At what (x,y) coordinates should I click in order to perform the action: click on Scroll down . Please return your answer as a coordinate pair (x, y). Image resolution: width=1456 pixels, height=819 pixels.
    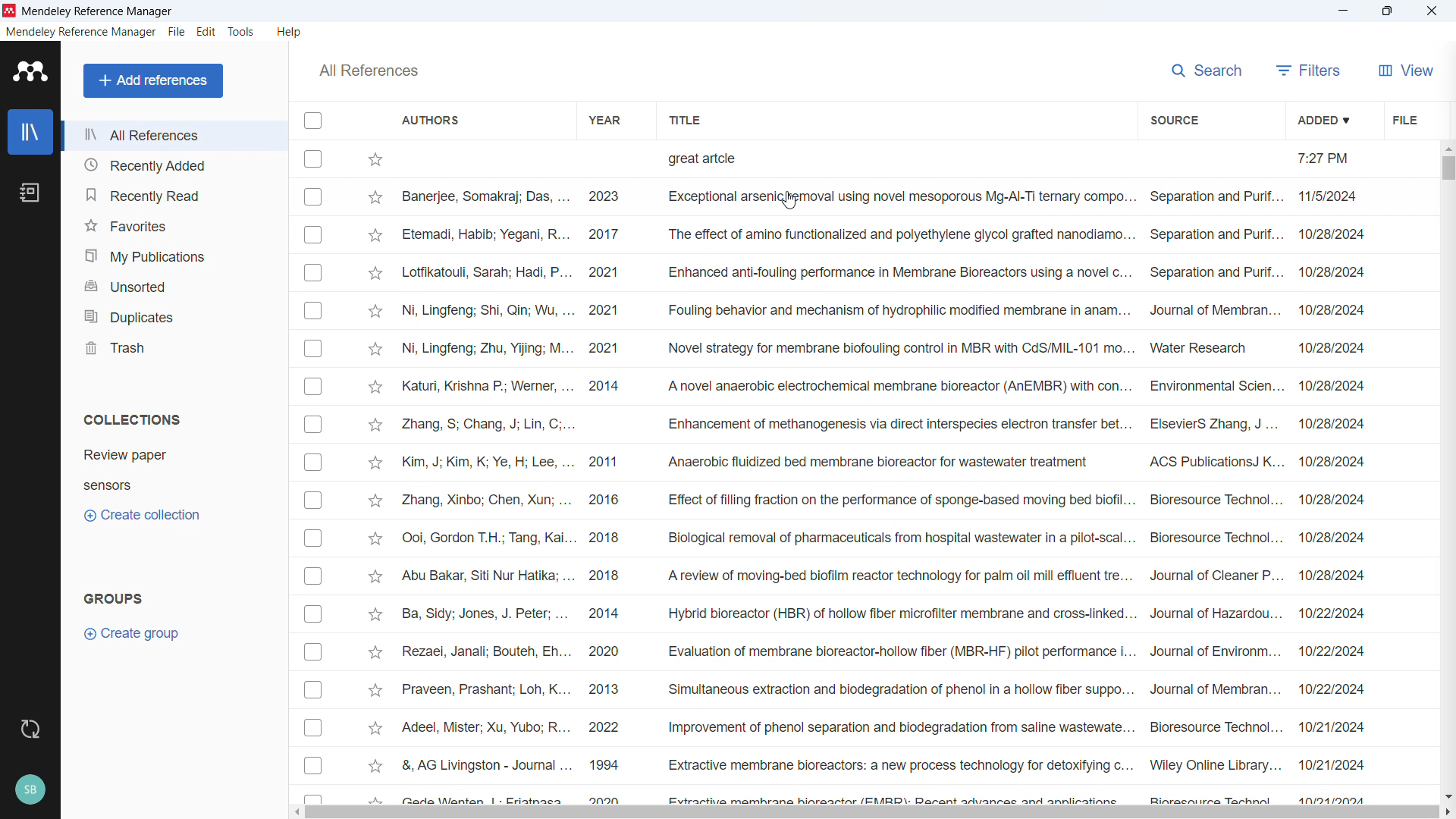
    Looking at the image, I should click on (1447, 796).